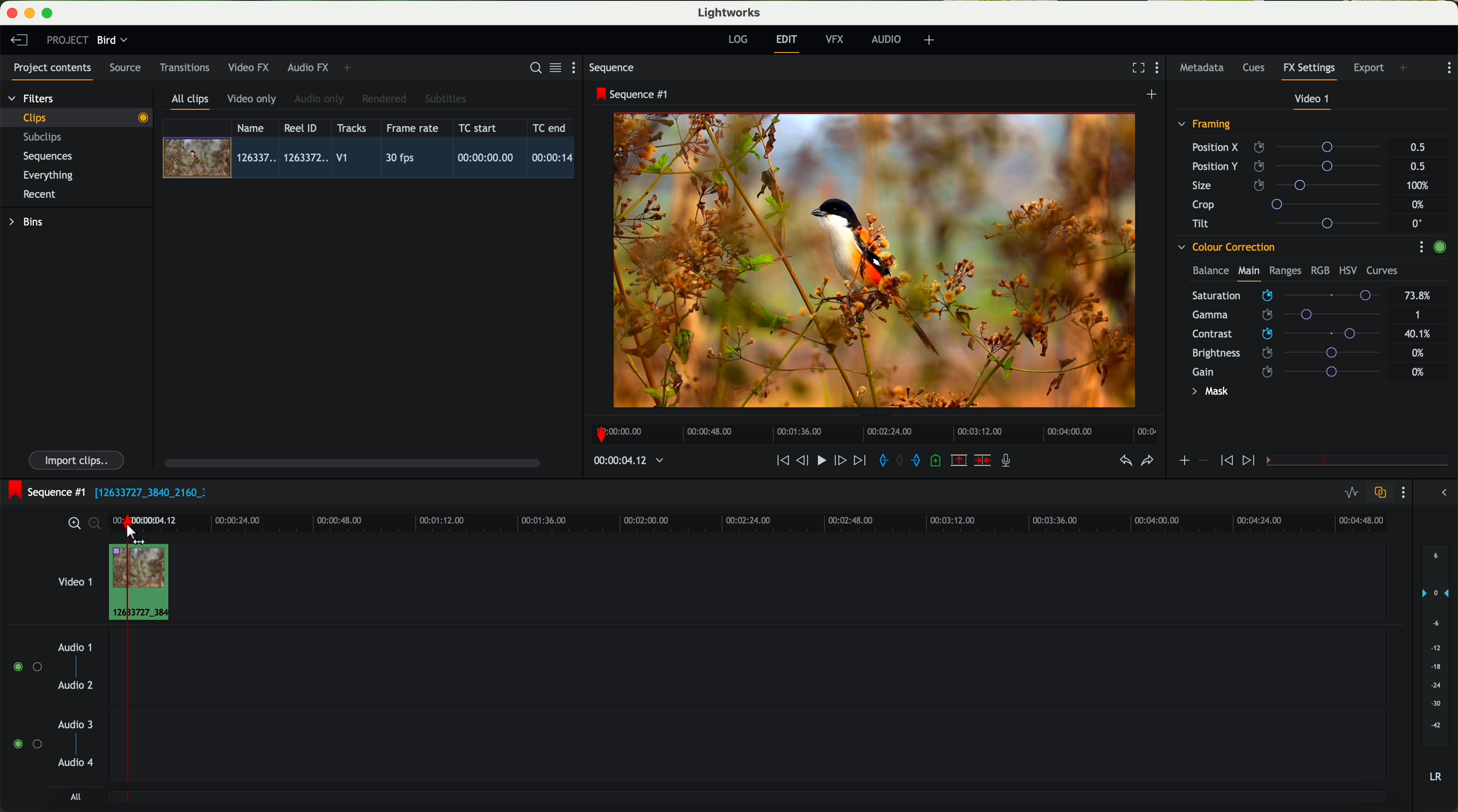 This screenshot has height=812, width=1458. Describe the element at coordinates (125, 68) in the screenshot. I see `source` at that location.